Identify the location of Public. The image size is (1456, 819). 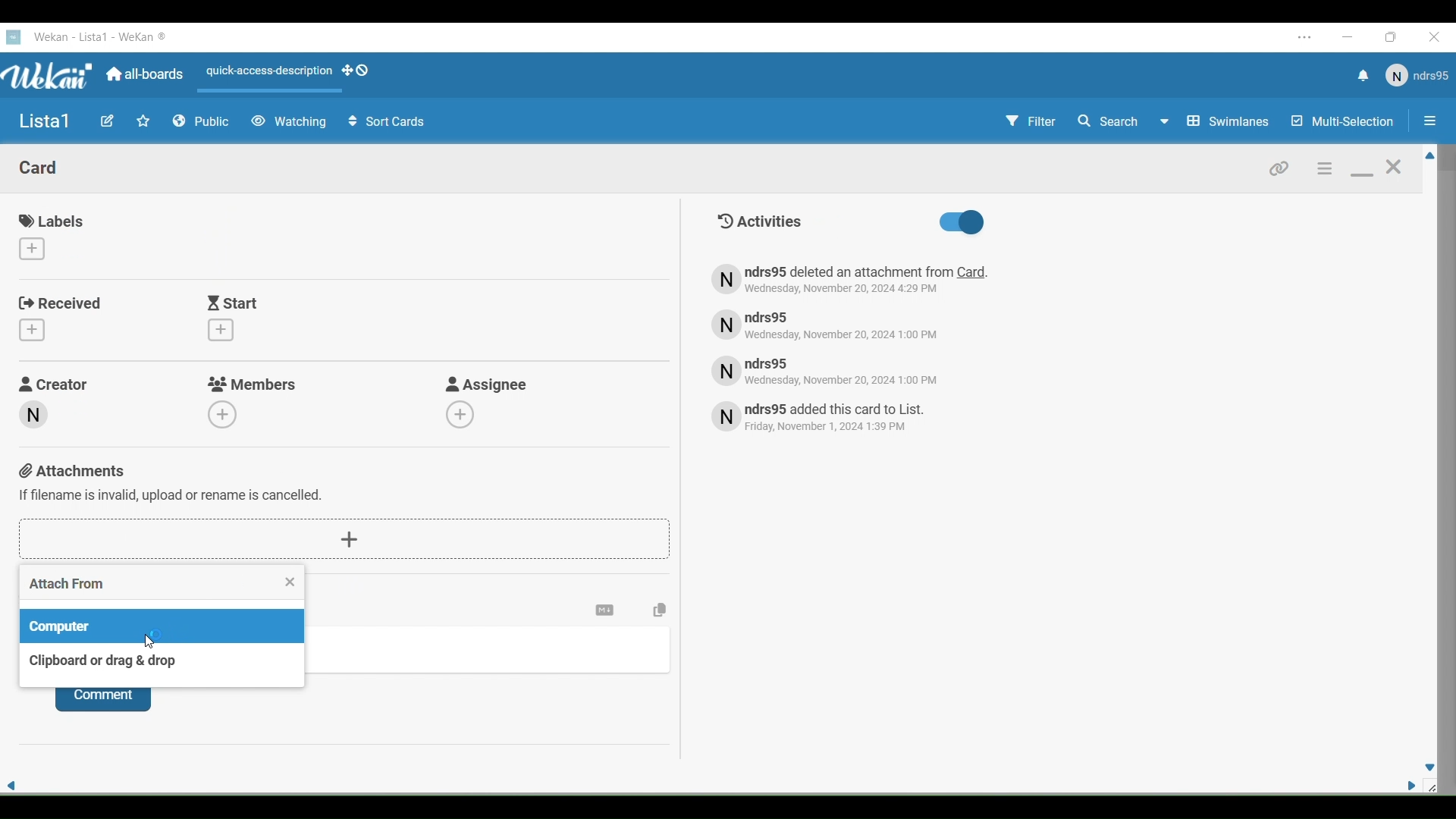
(202, 122).